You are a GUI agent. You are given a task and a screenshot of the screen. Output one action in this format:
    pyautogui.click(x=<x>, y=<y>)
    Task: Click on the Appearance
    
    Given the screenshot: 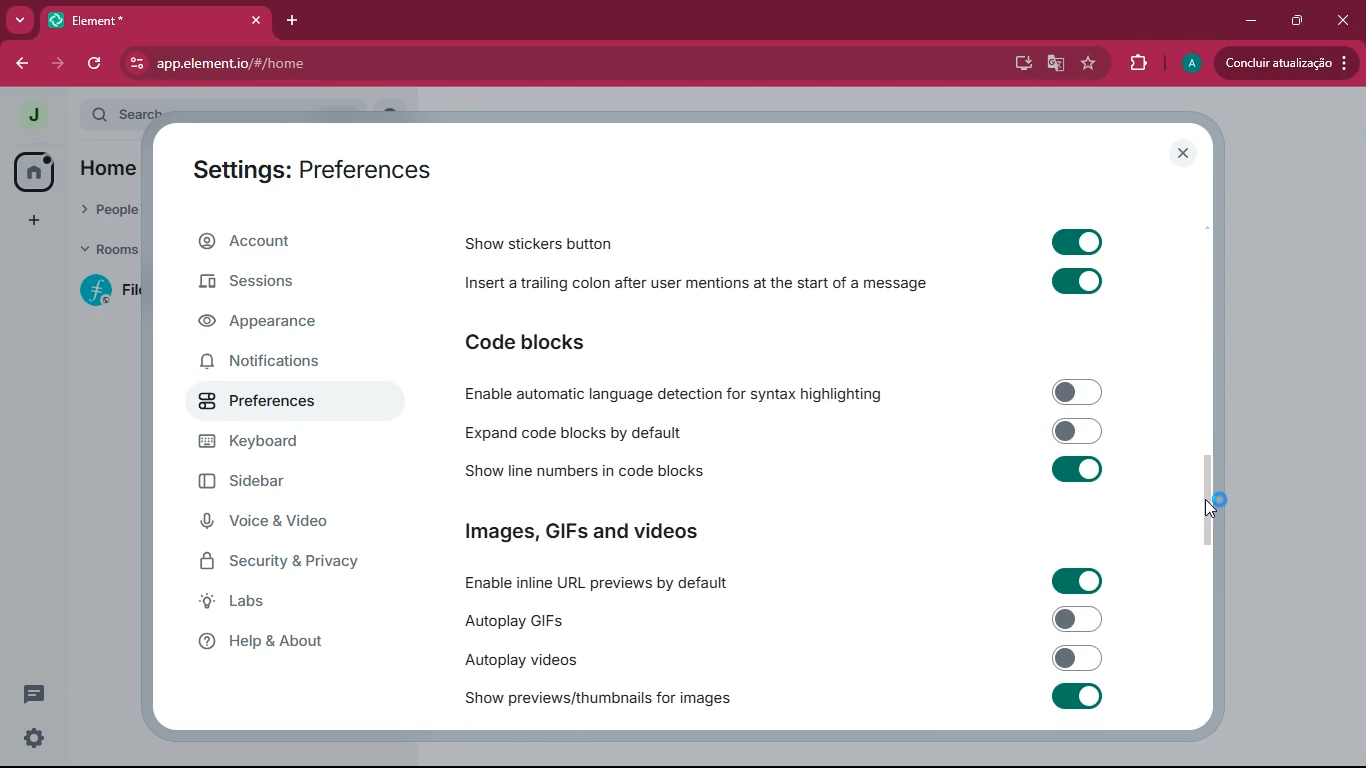 What is the action you would take?
    pyautogui.click(x=265, y=327)
    